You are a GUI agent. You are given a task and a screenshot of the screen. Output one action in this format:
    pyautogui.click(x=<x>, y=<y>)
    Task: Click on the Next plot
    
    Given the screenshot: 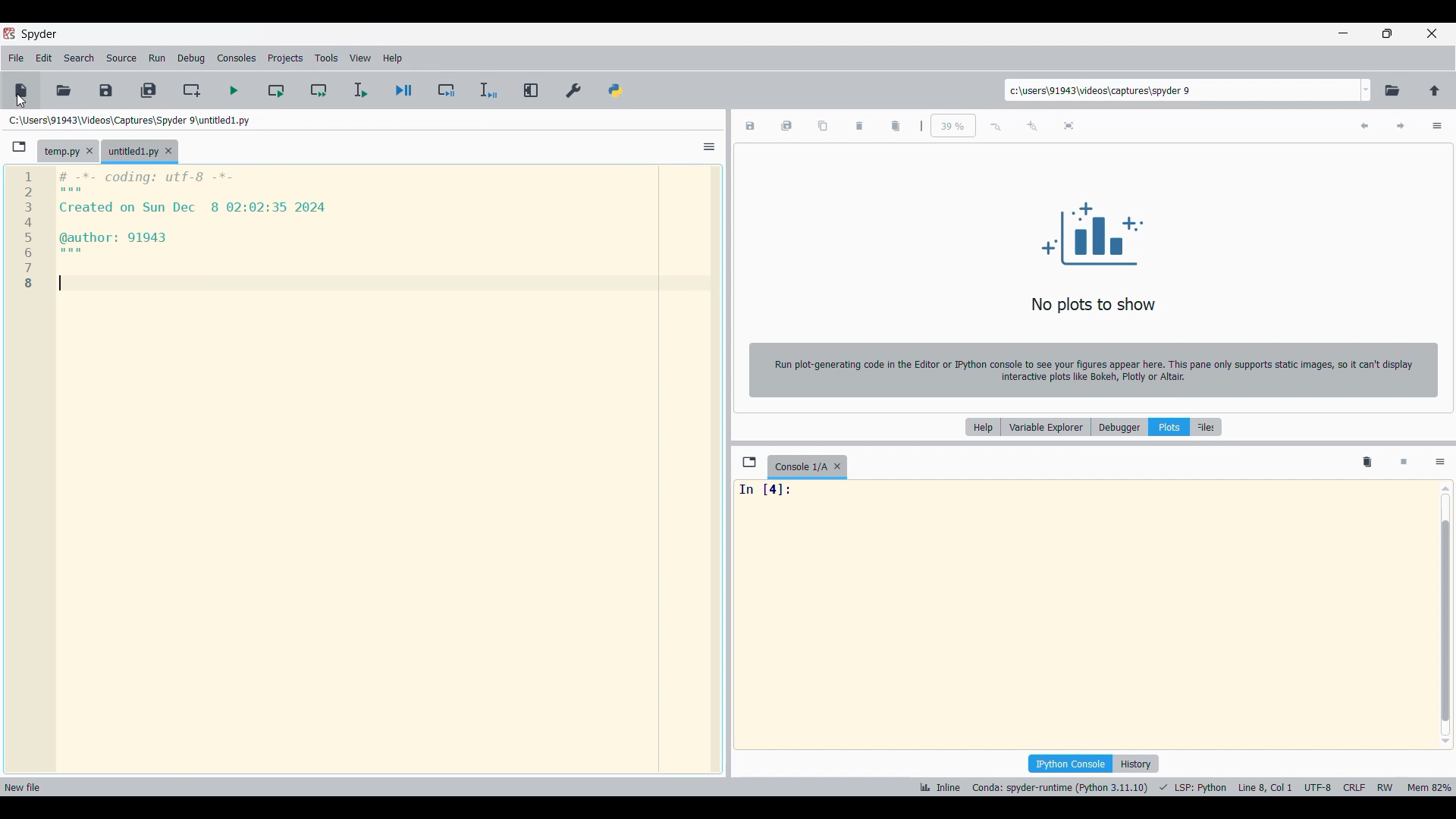 What is the action you would take?
    pyautogui.click(x=1401, y=126)
    